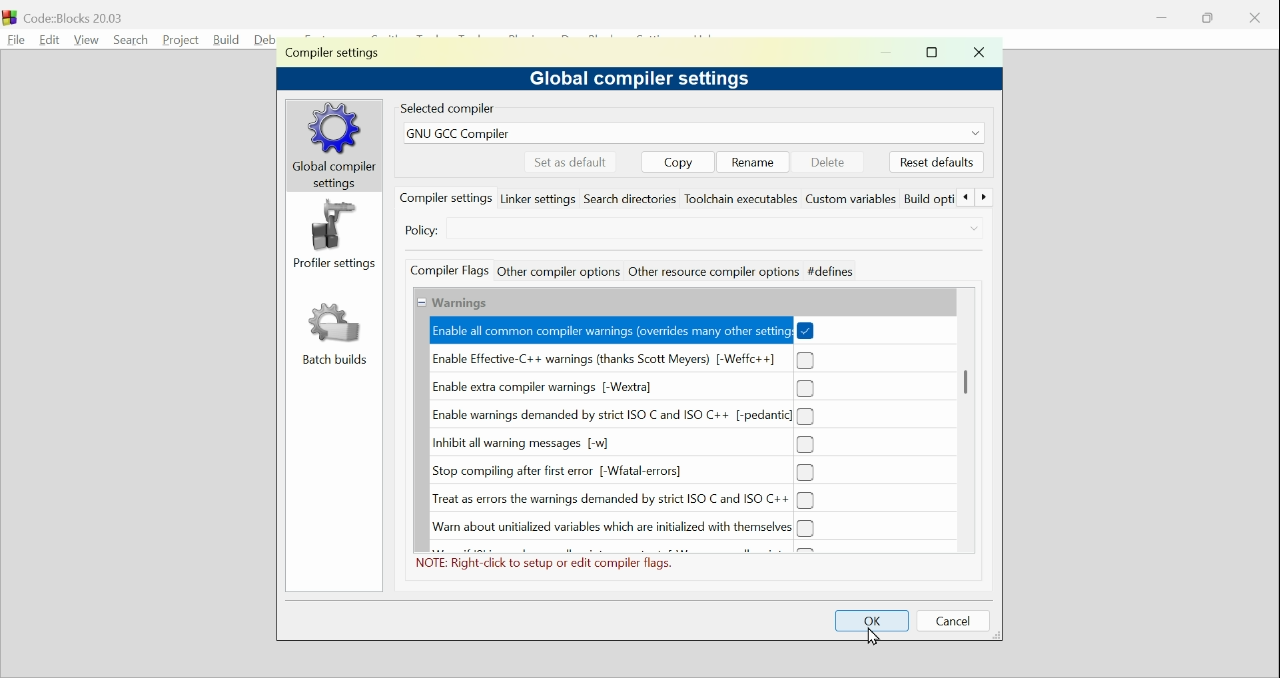 The height and width of the screenshot is (678, 1280). I want to click on close, so click(1255, 17).